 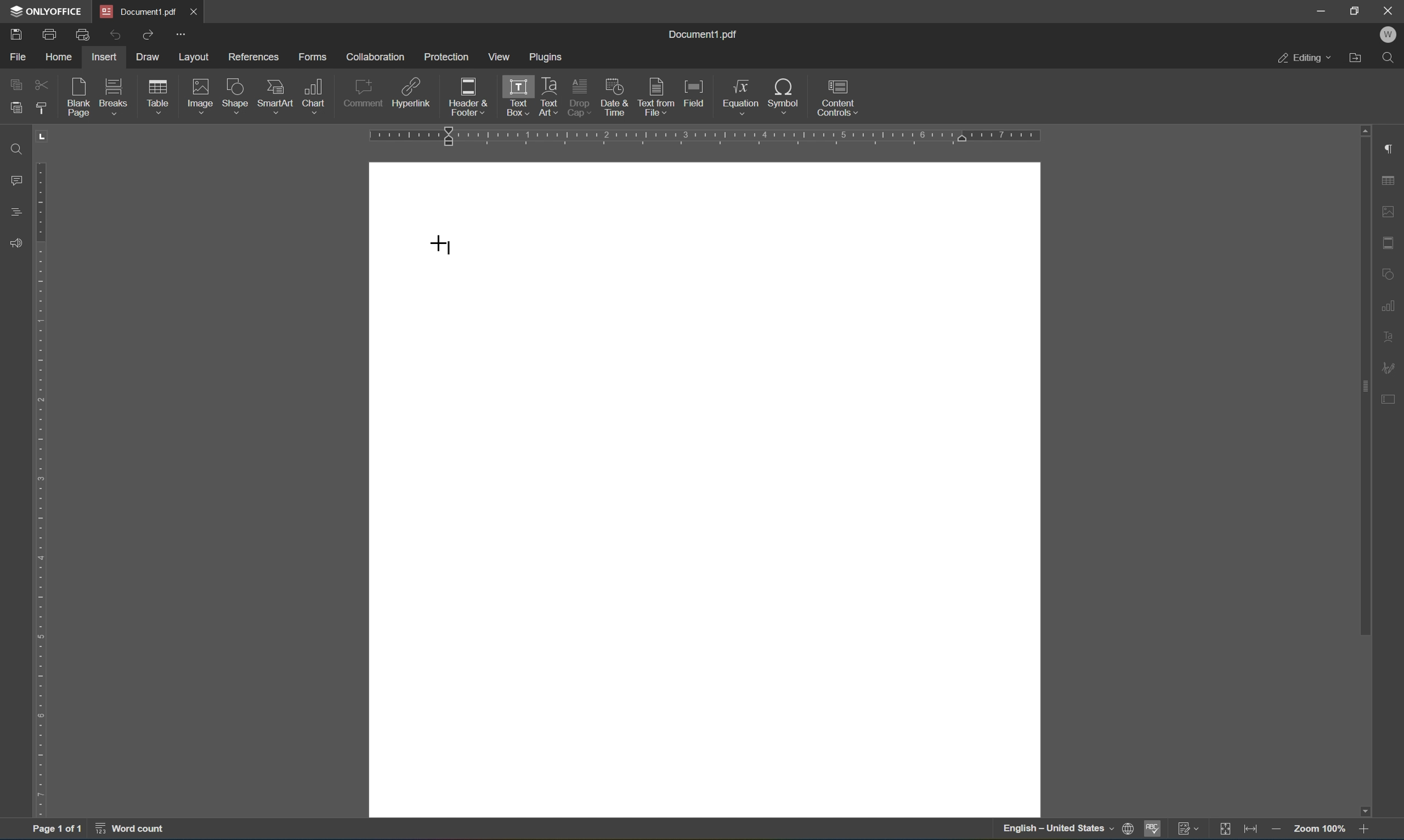 I want to click on protection, so click(x=446, y=56).